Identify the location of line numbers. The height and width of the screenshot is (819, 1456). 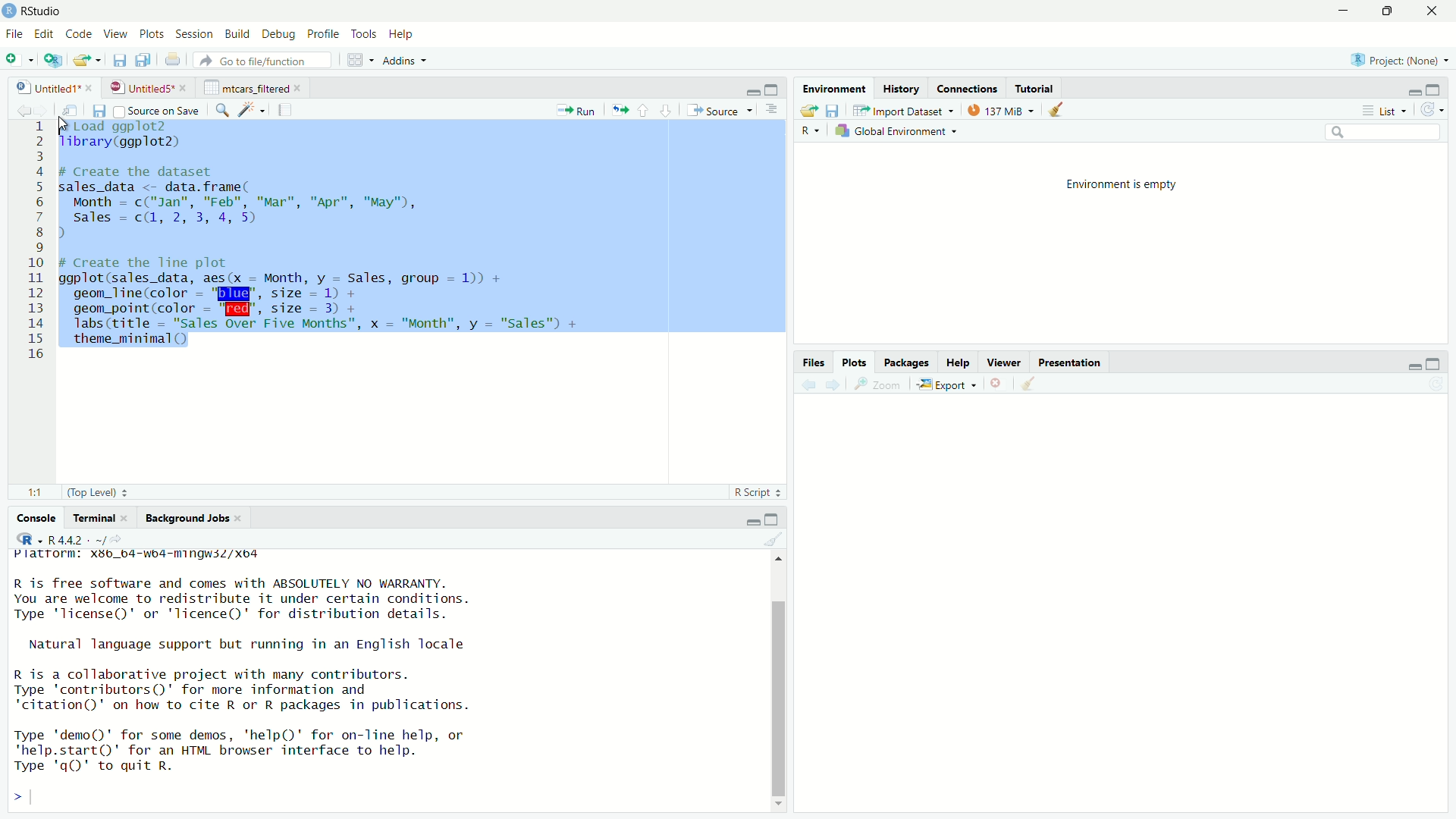
(39, 243).